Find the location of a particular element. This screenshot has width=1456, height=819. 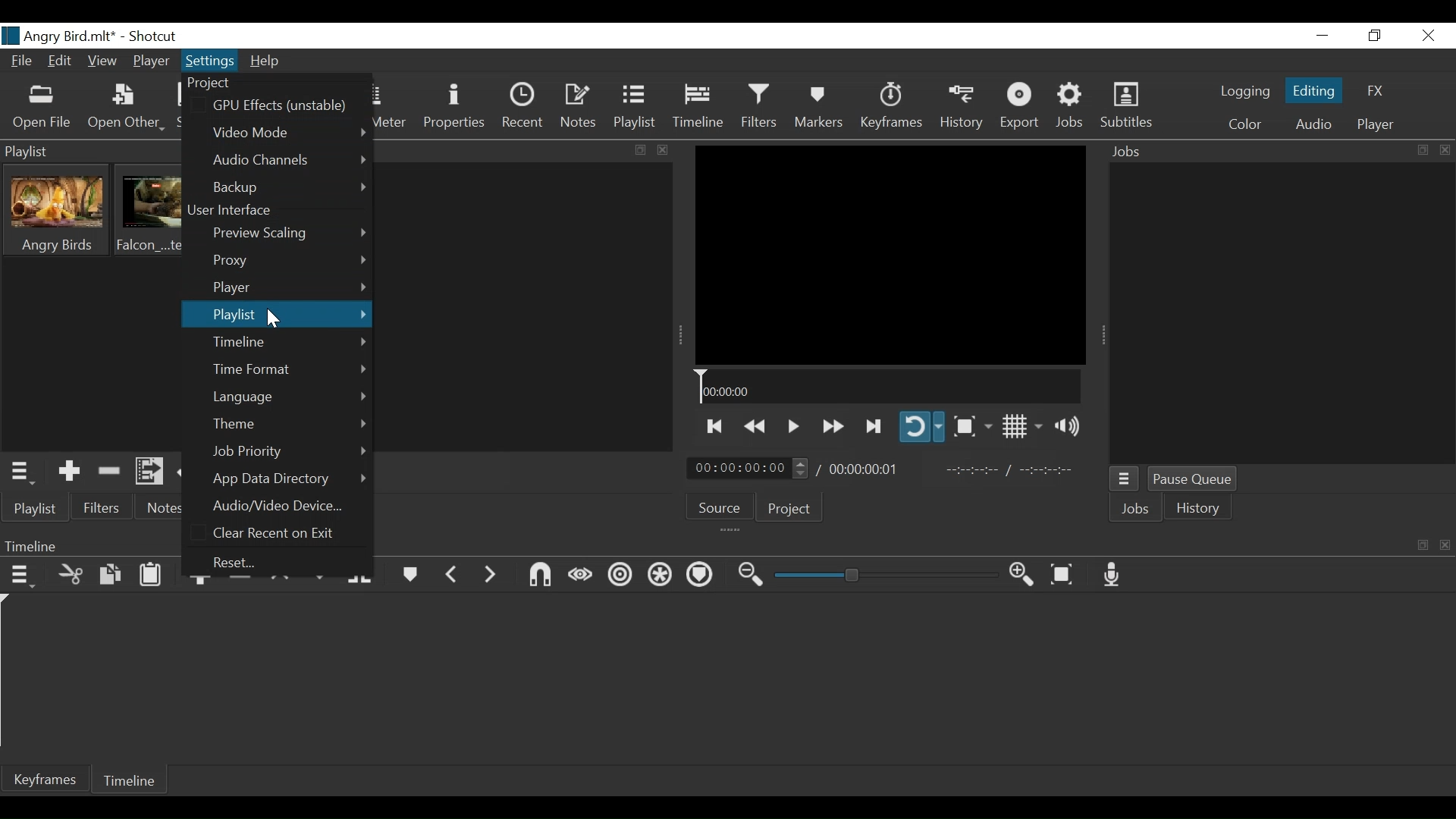

Color is located at coordinates (1245, 124).